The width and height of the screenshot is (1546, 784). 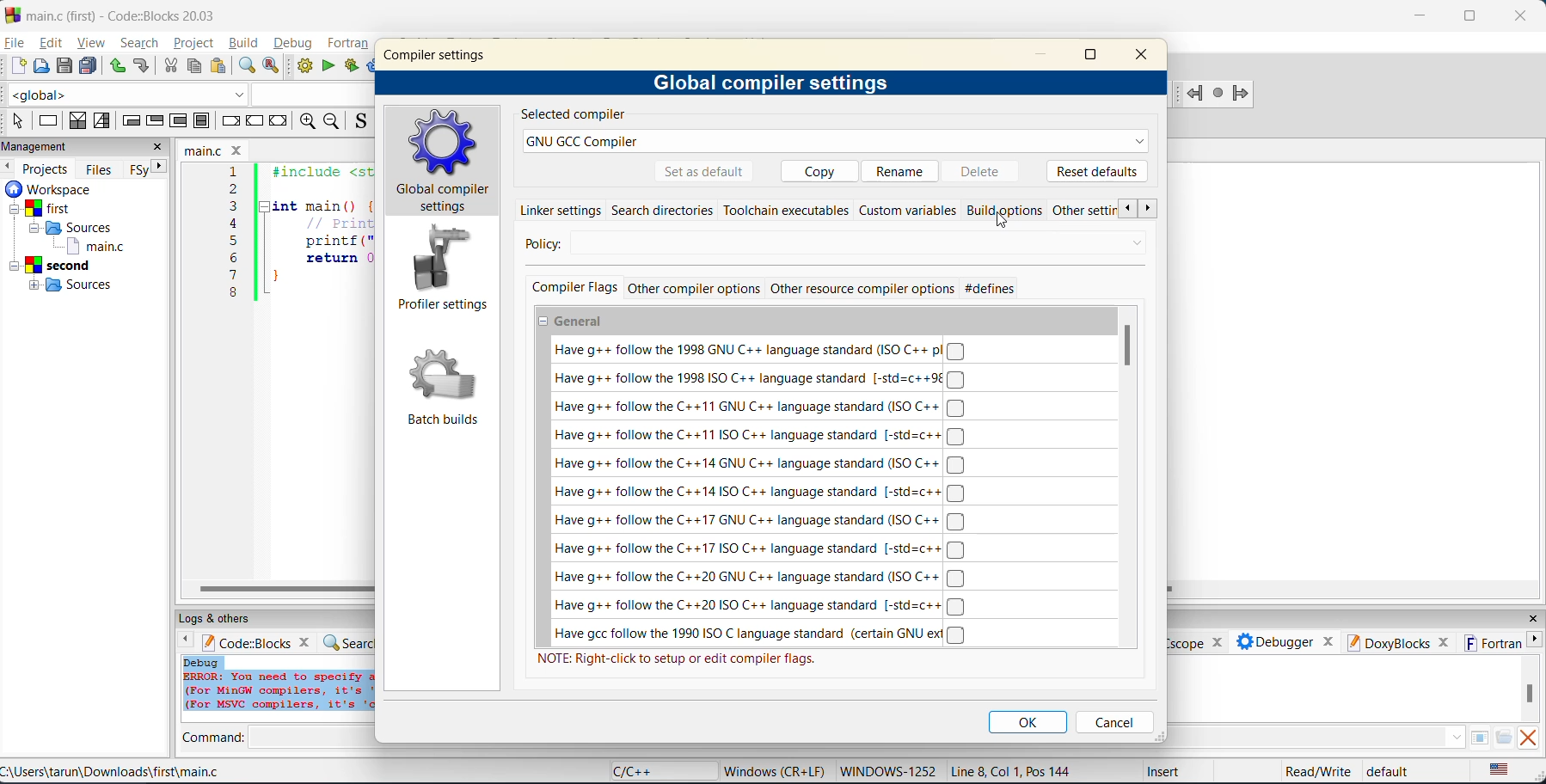 I want to click on project, so click(x=194, y=43).